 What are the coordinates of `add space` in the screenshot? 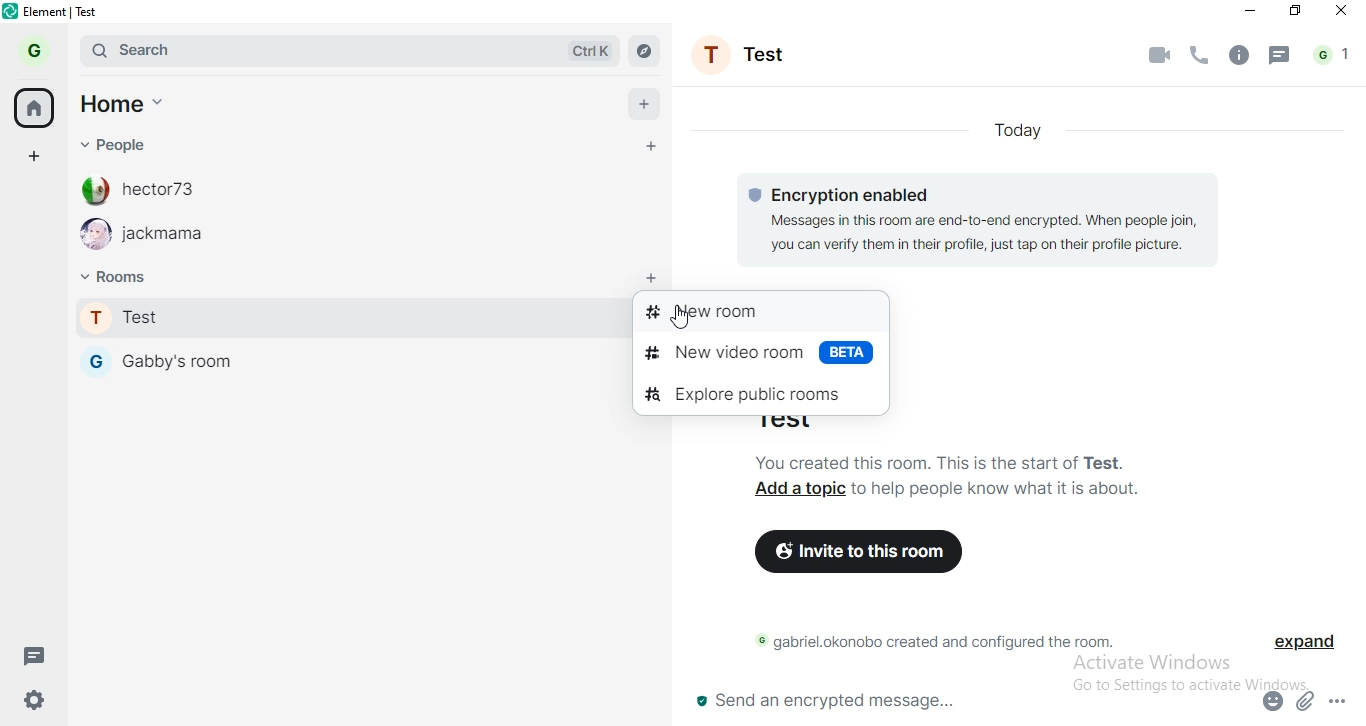 It's located at (37, 164).